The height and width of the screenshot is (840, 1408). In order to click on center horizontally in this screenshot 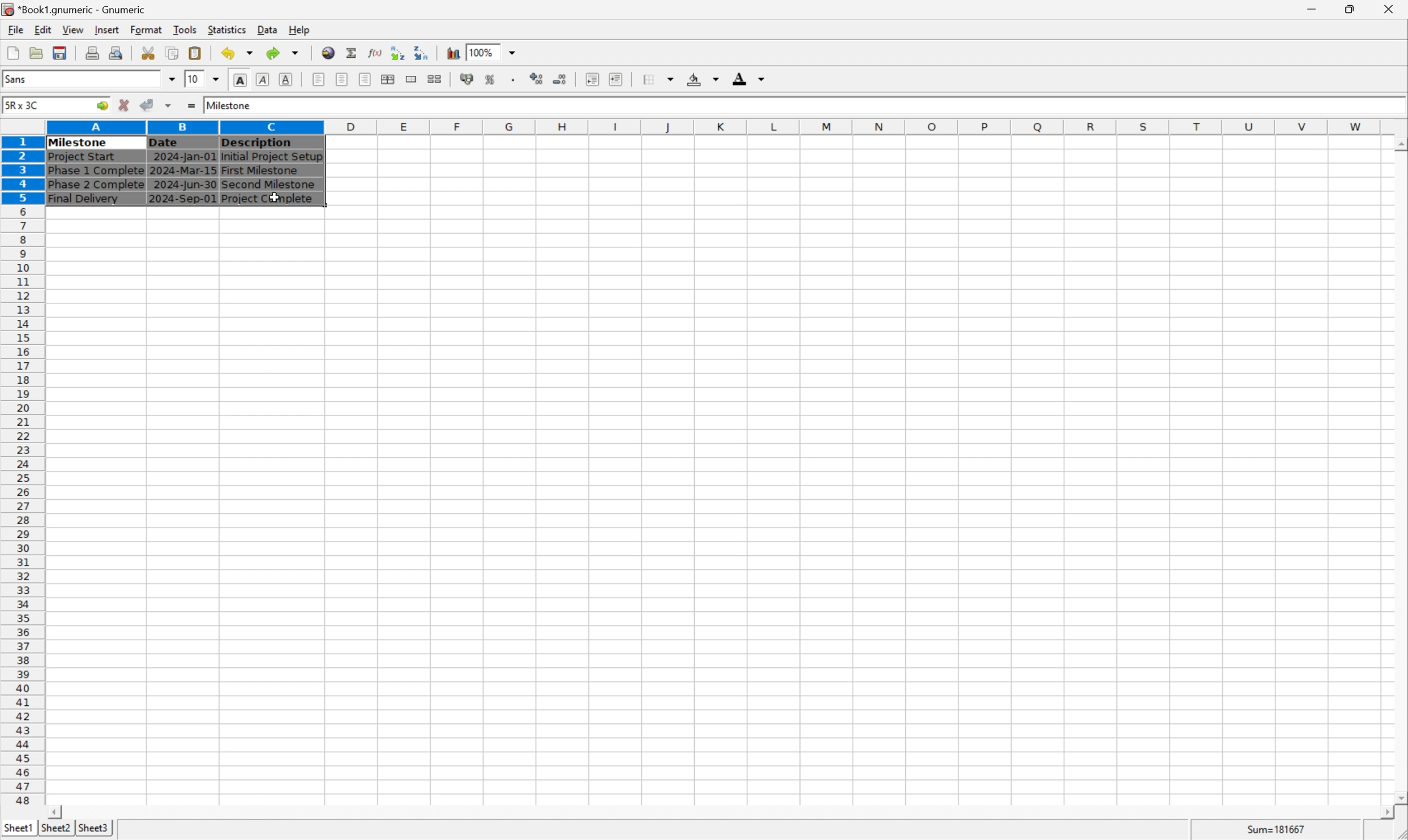, I will do `click(341, 80)`.